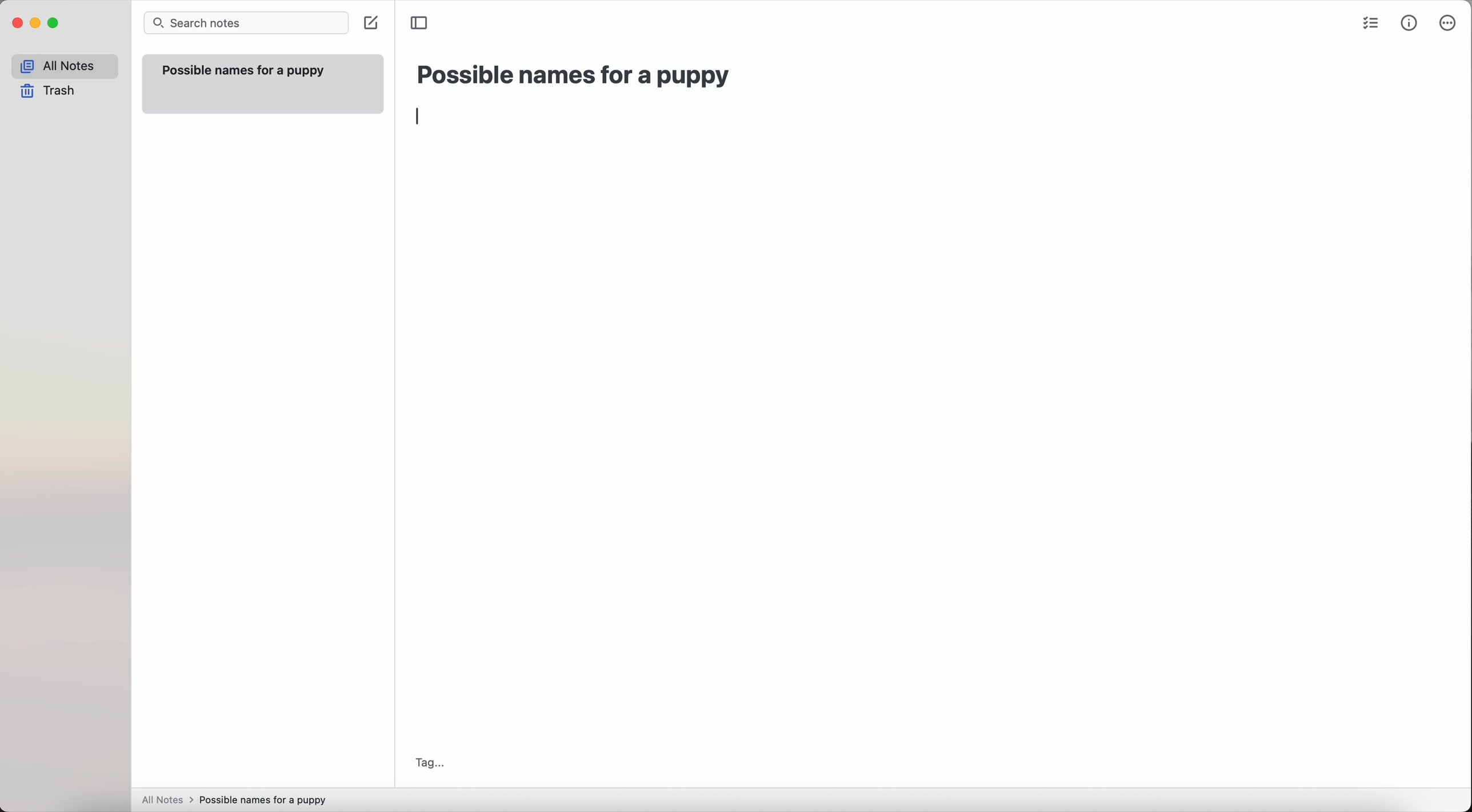 Image resolution: width=1472 pixels, height=812 pixels. What do you see at coordinates (261, 83) in the screenshot?
I see `possible names for a puppy note` at bounding box center [261, 83].